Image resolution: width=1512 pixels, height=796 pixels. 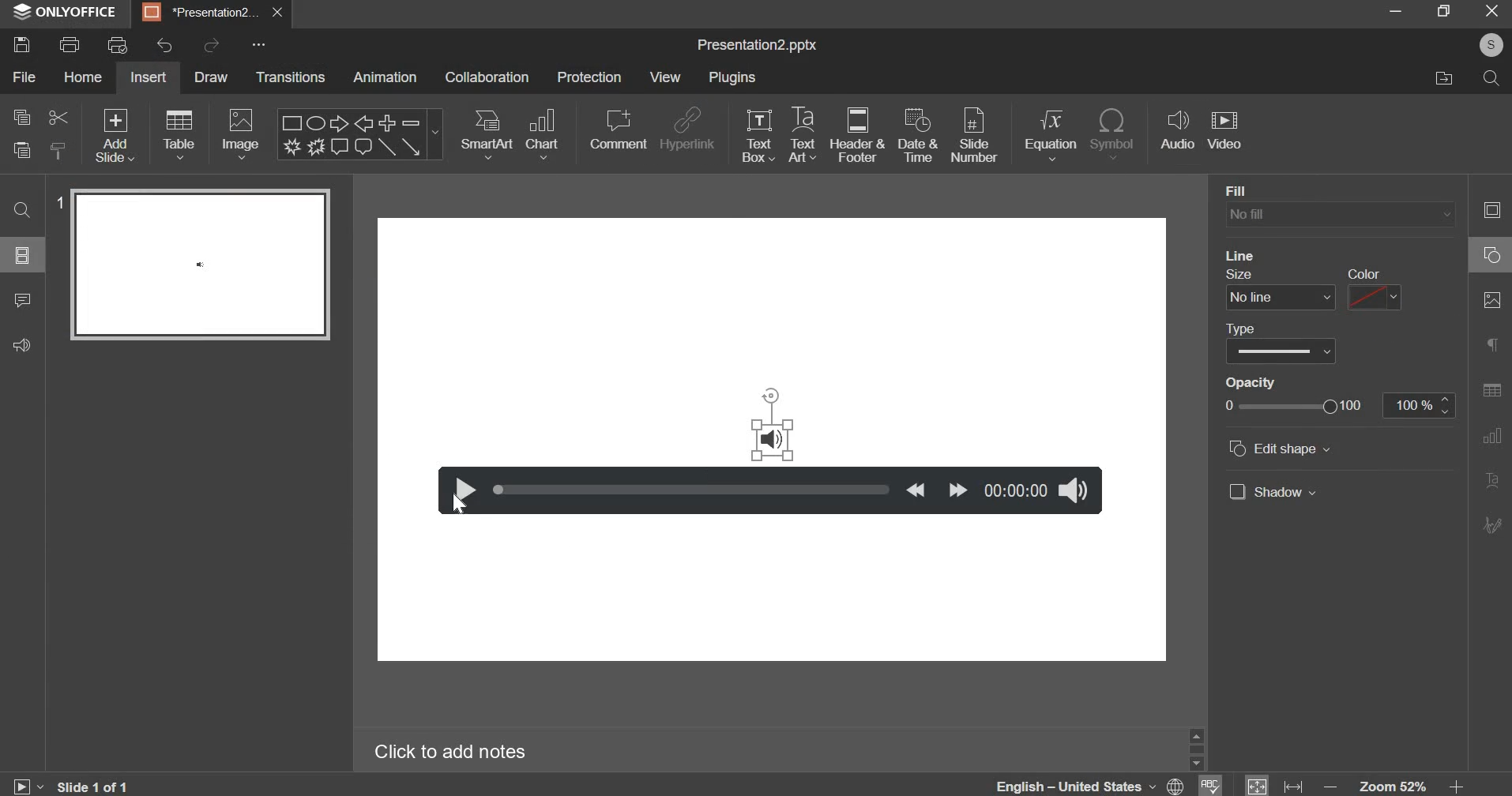 I want to click on save, so click(x=27, y=42).